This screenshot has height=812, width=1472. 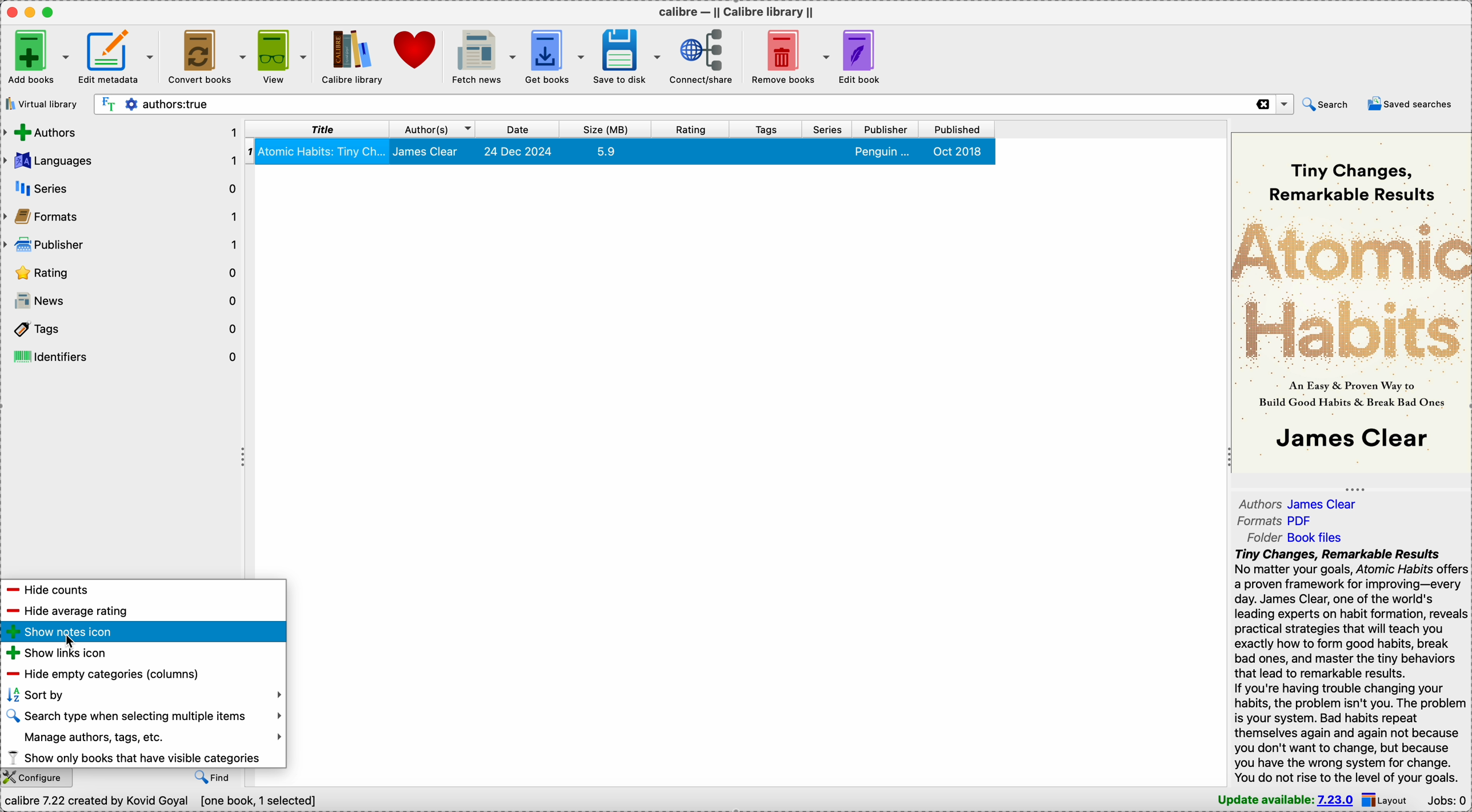 What do you see at coordinates (691, 104) in the screenshot?
I see `search bar` at bounding box center [691, 104].